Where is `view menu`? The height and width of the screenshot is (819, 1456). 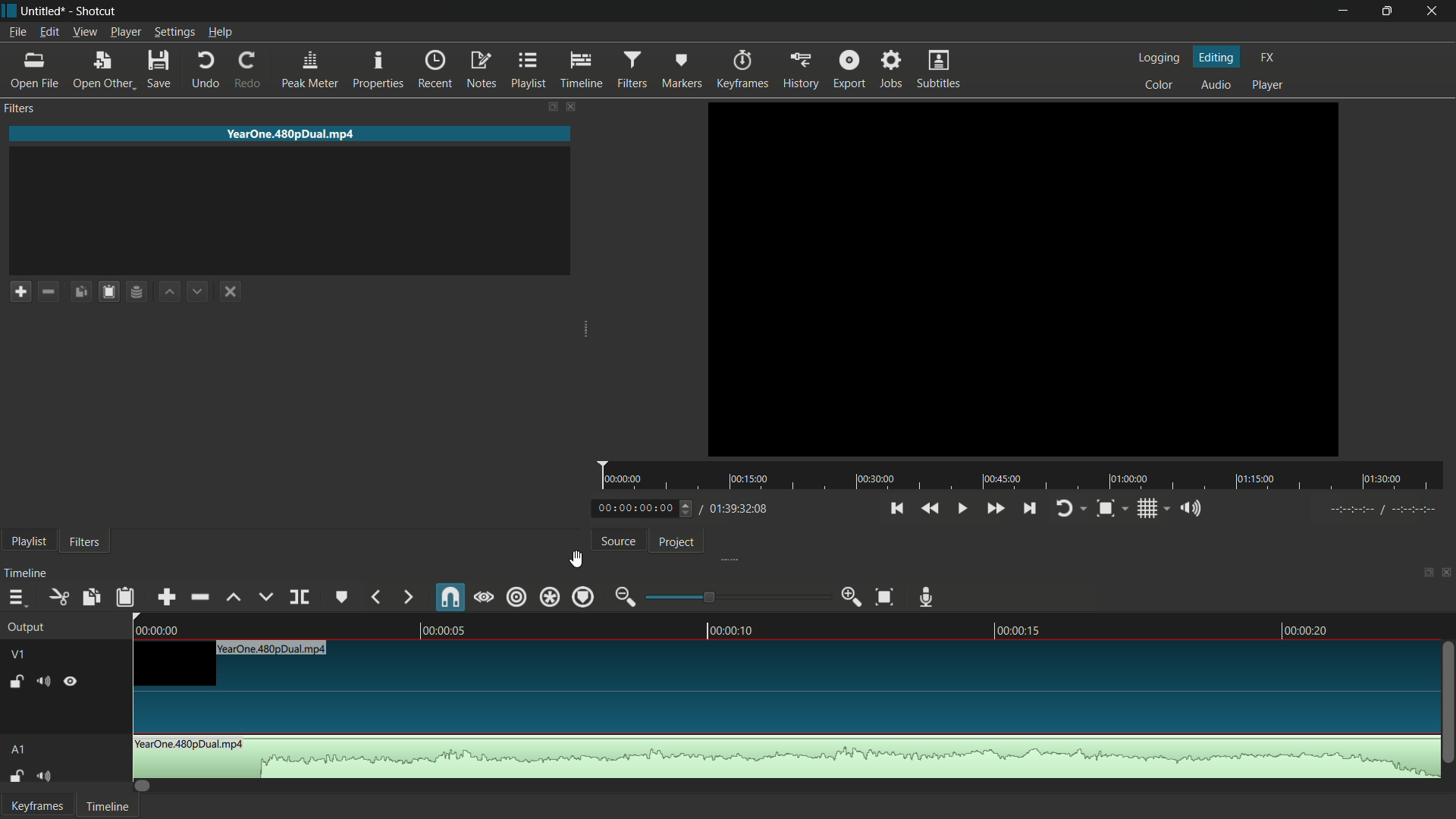
view menu is located at coordinates (85, 33).